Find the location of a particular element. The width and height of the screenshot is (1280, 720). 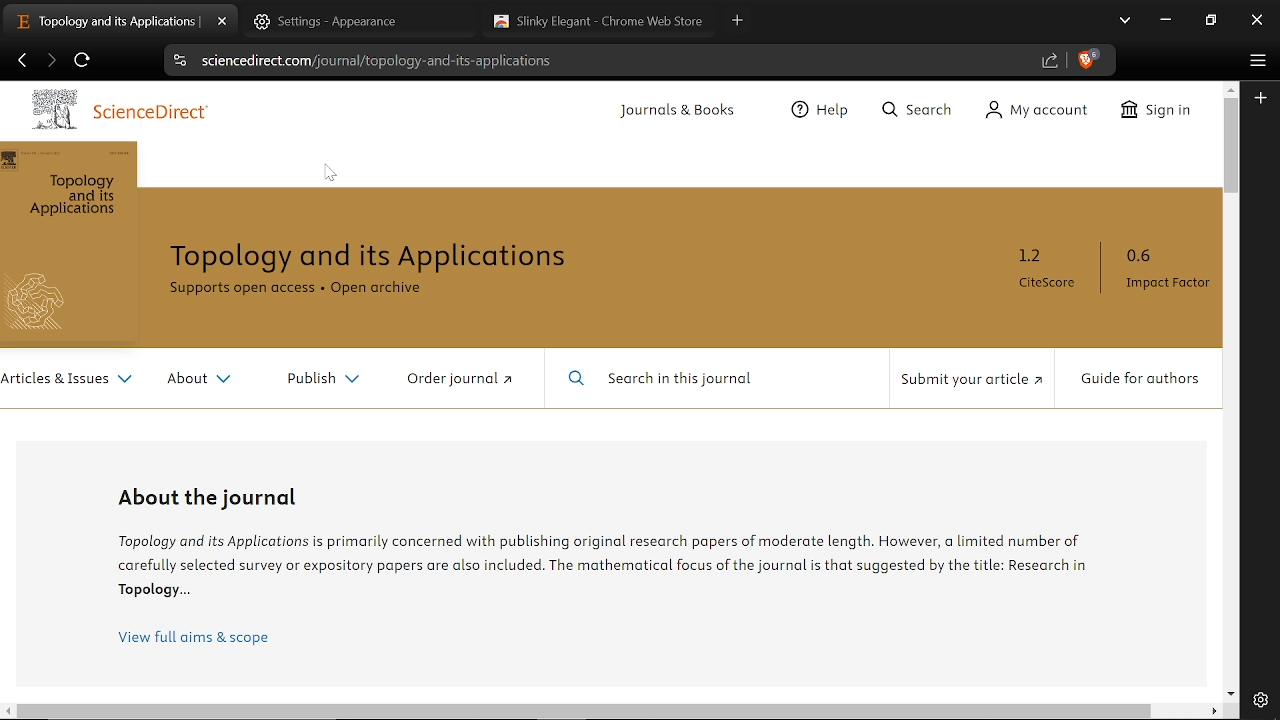

0.6 Impact Factor is located at coordinates (1167, 268).